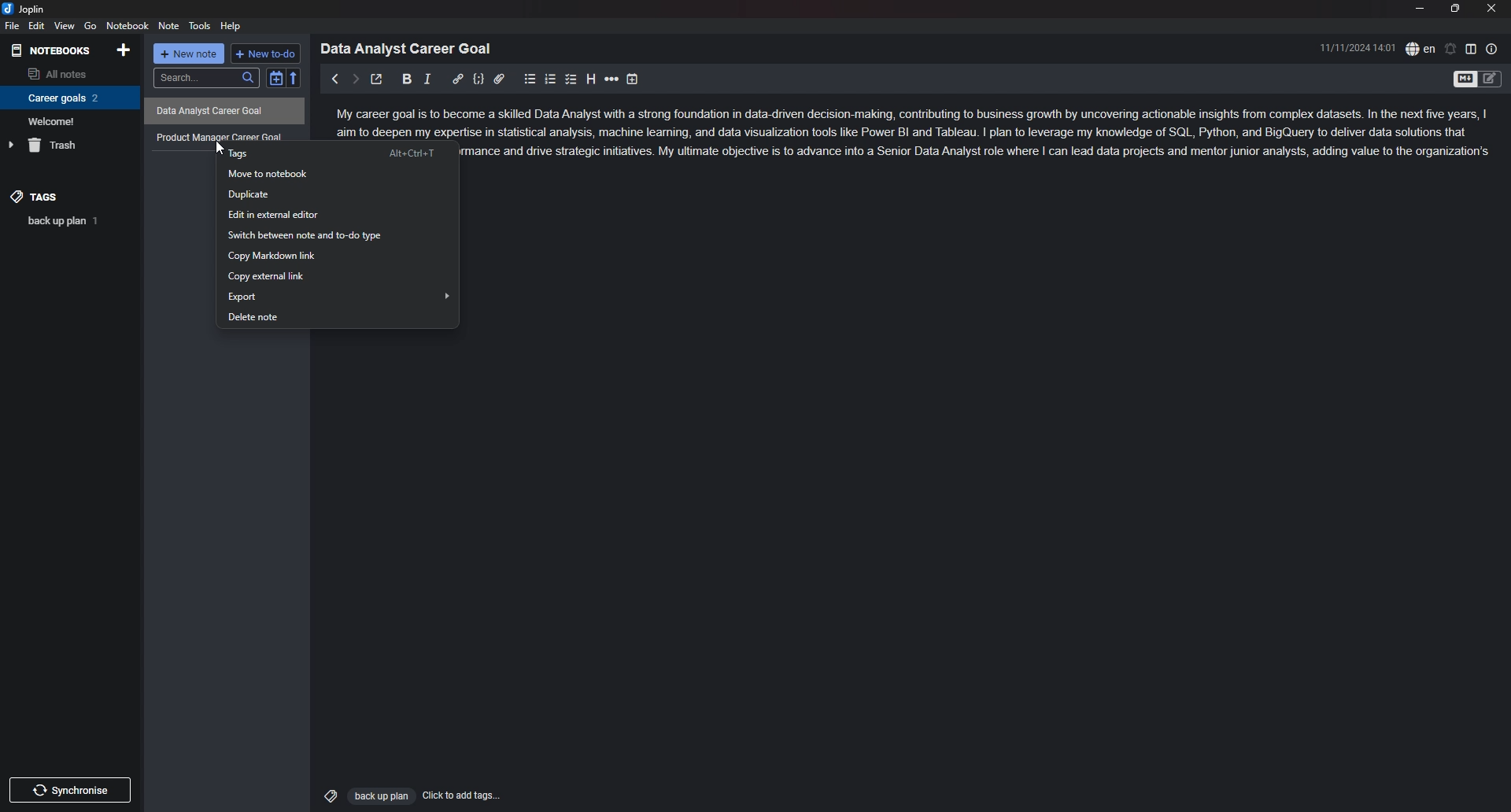  I want to click on previous, so click(334, 79).